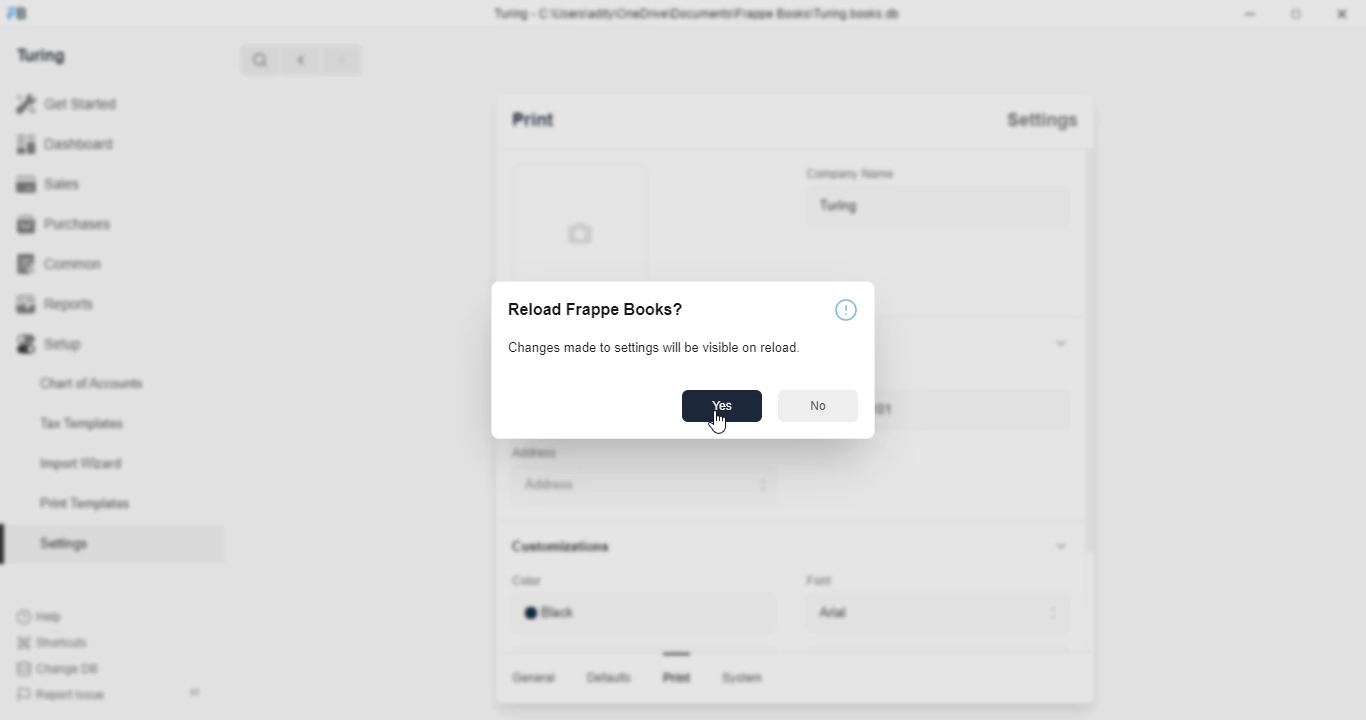  What do you see at coordinates (1299, 14) in the screenshot?
I see `maximise` at bounding box center [1299, 14].